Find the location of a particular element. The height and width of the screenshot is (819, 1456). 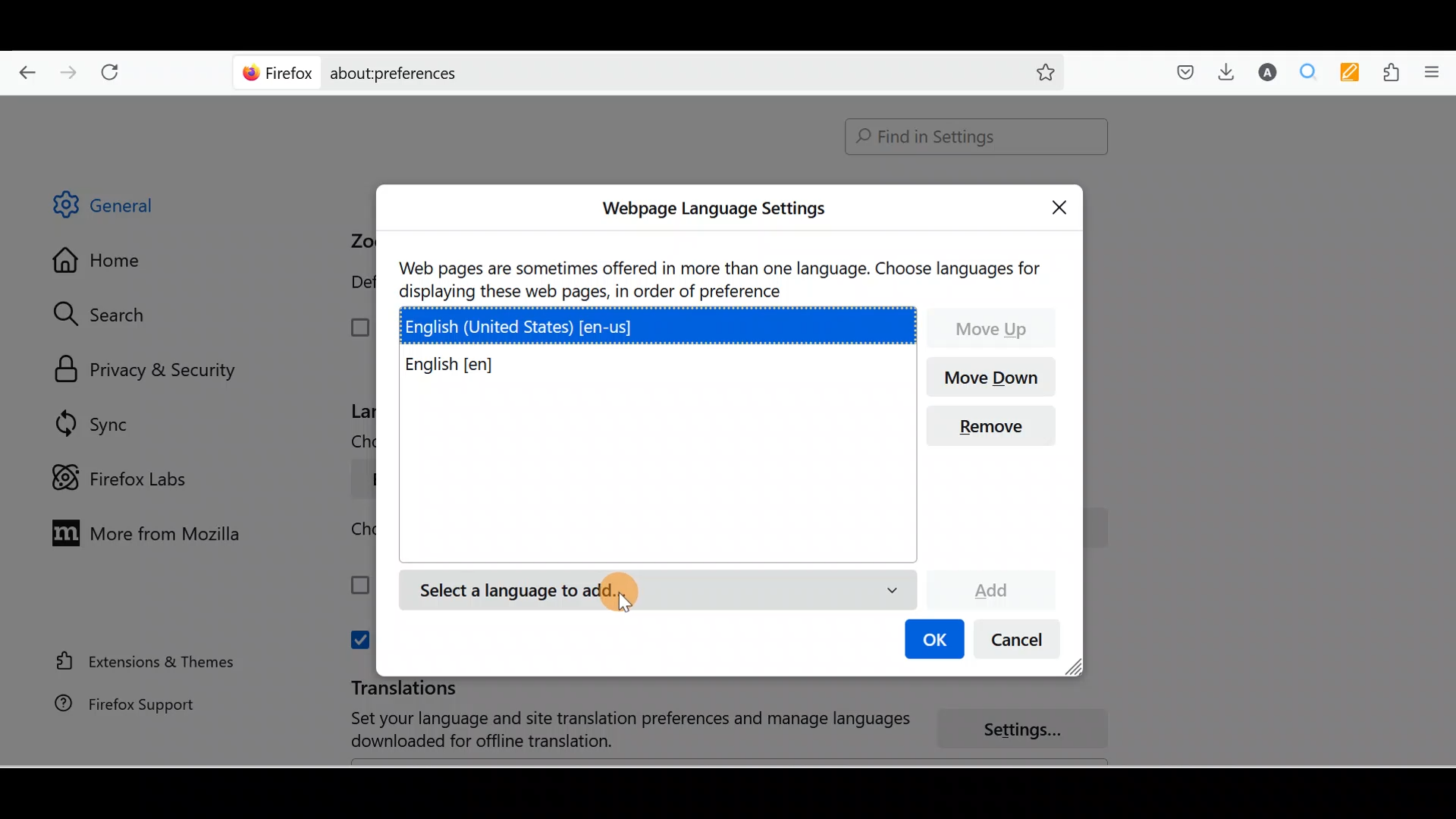

Search is located at coordinates (107, 314).